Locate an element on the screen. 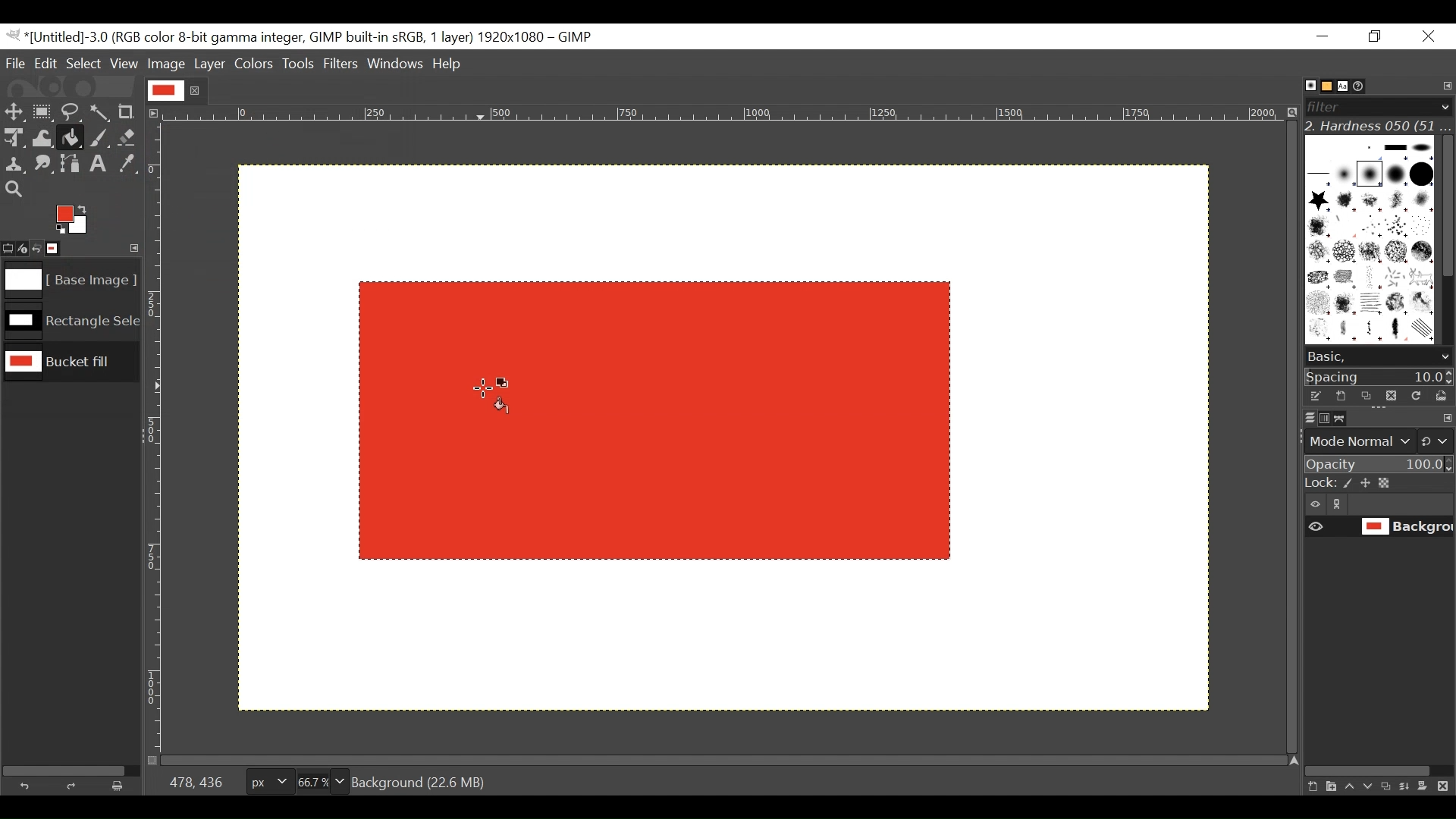 The width and height of the screenshot is (1456, 819). Duplicate this layer is located at coordinates (1389, 786).